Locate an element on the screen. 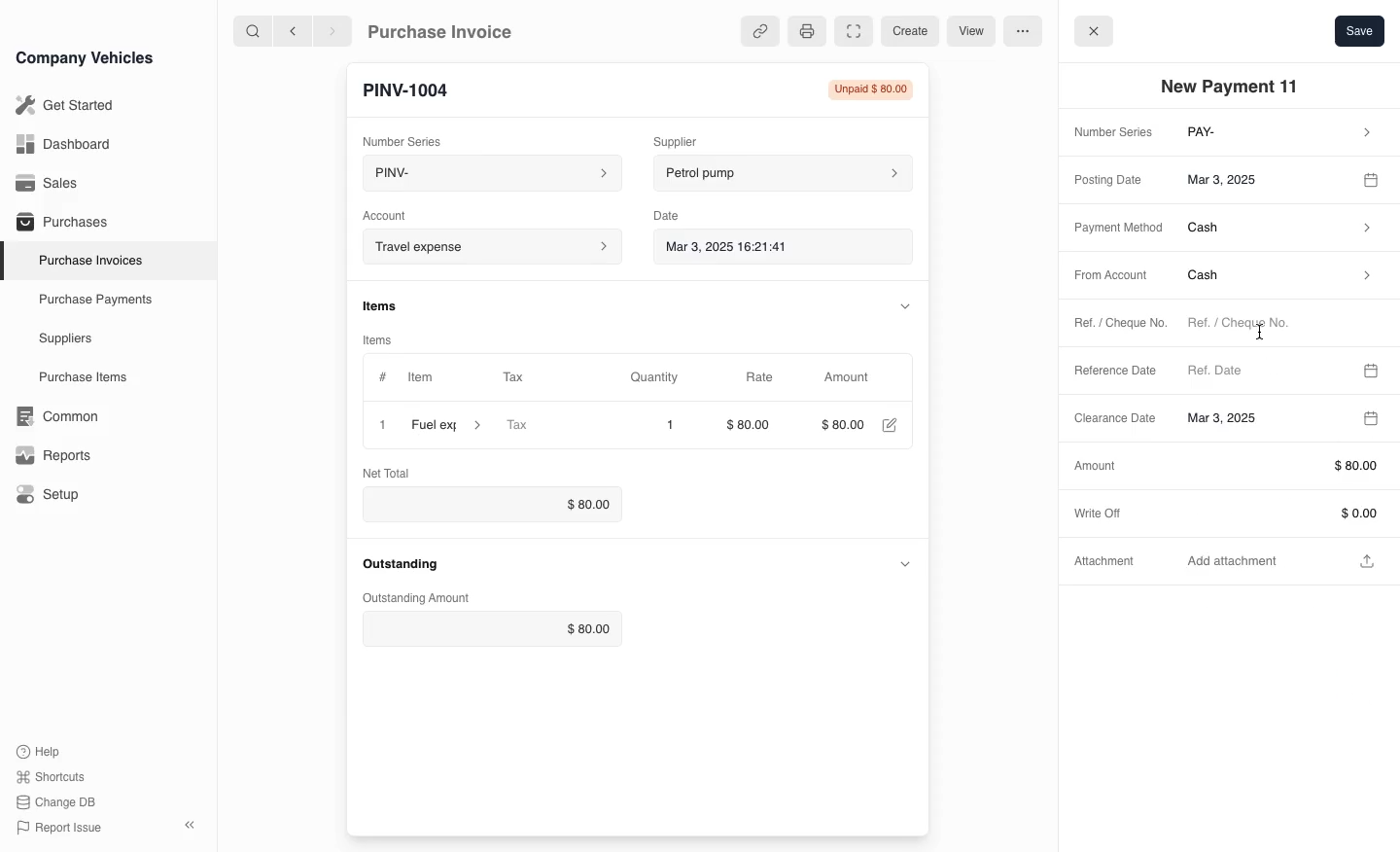 The image size is (1400, 852). calender is located at coordinates (1369, 418).